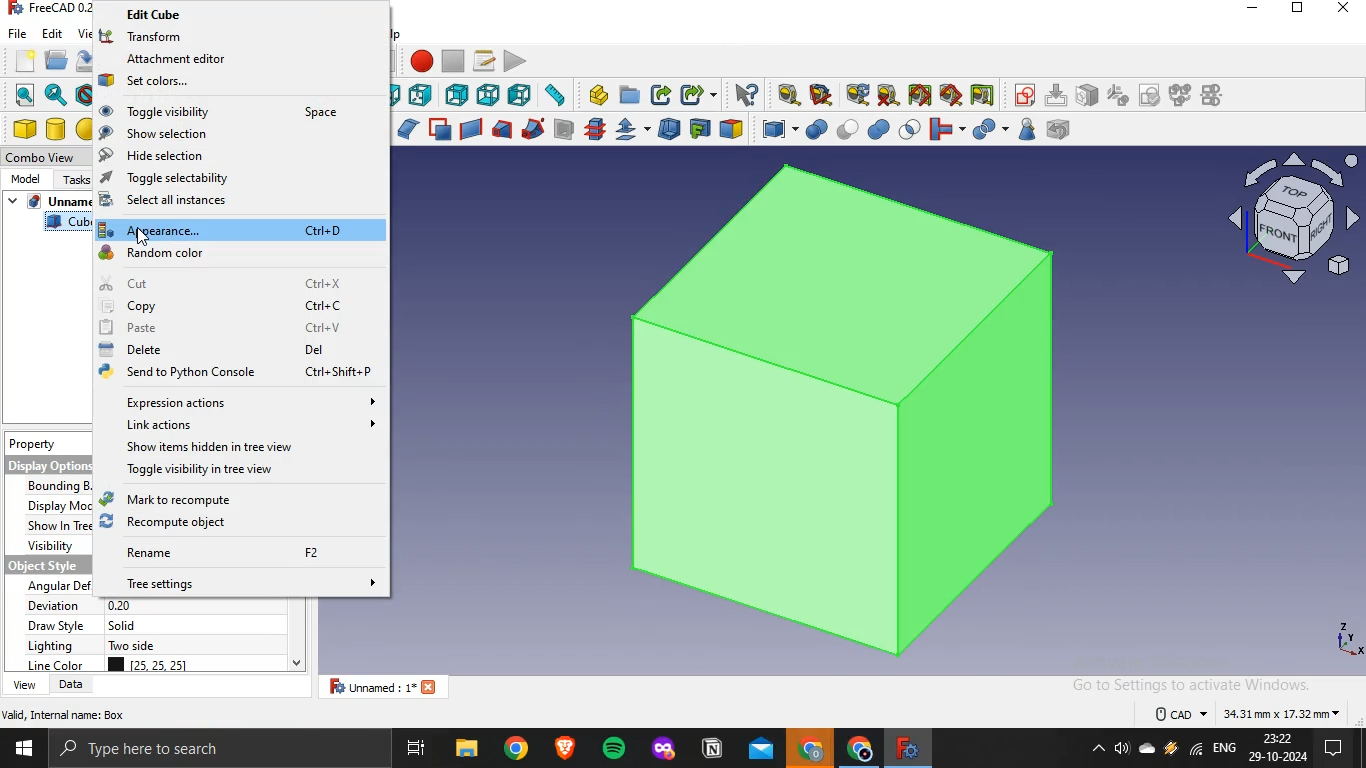 This screenshot has width=1366, height=768. I want to click on toggle visiblity, so click(227, 109).